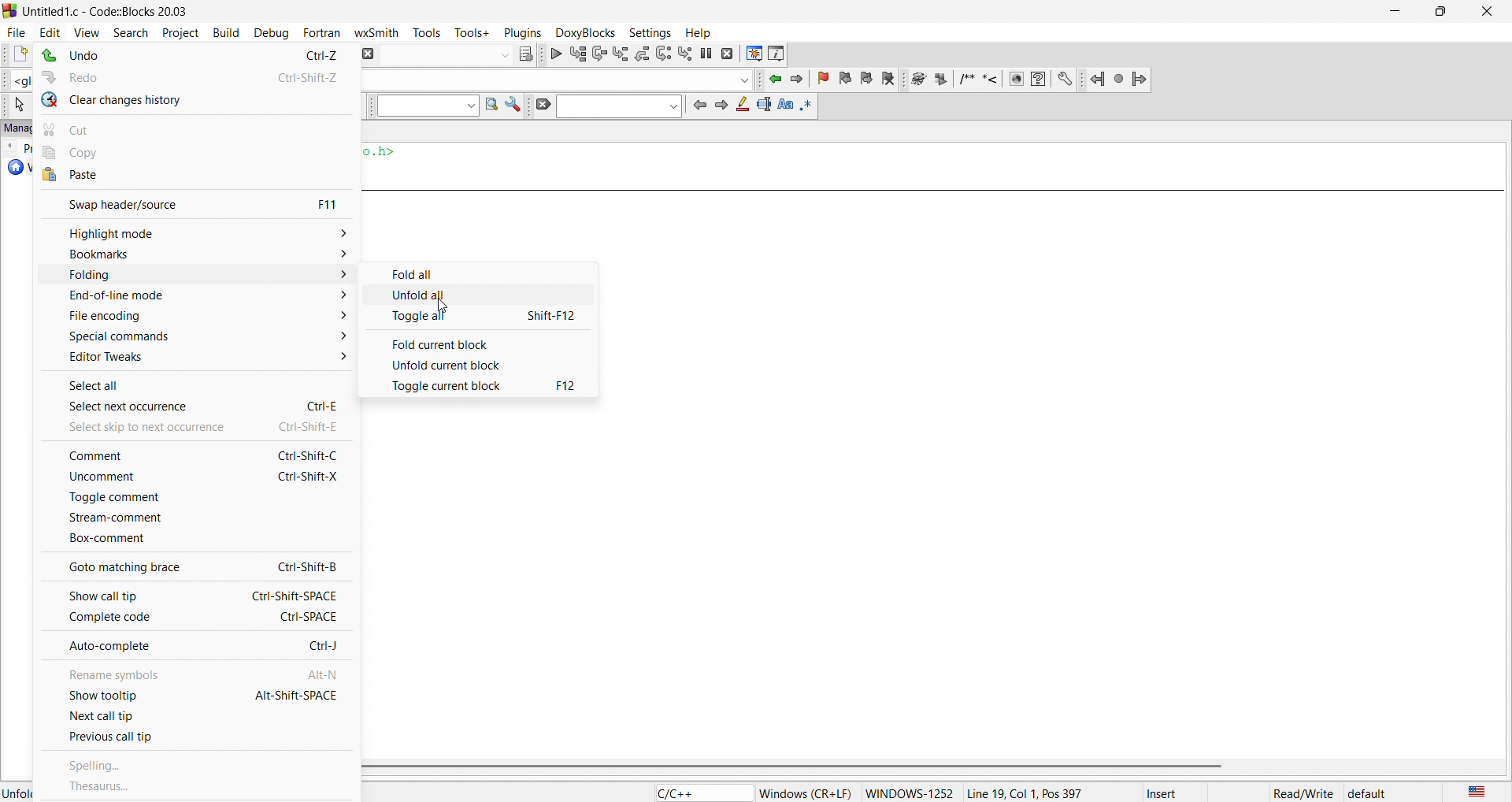 The width and height of the screenshot is (1512, 802). Describe the element at coordinates (1120, 78) in the screenshot. I see `stop` at that location.